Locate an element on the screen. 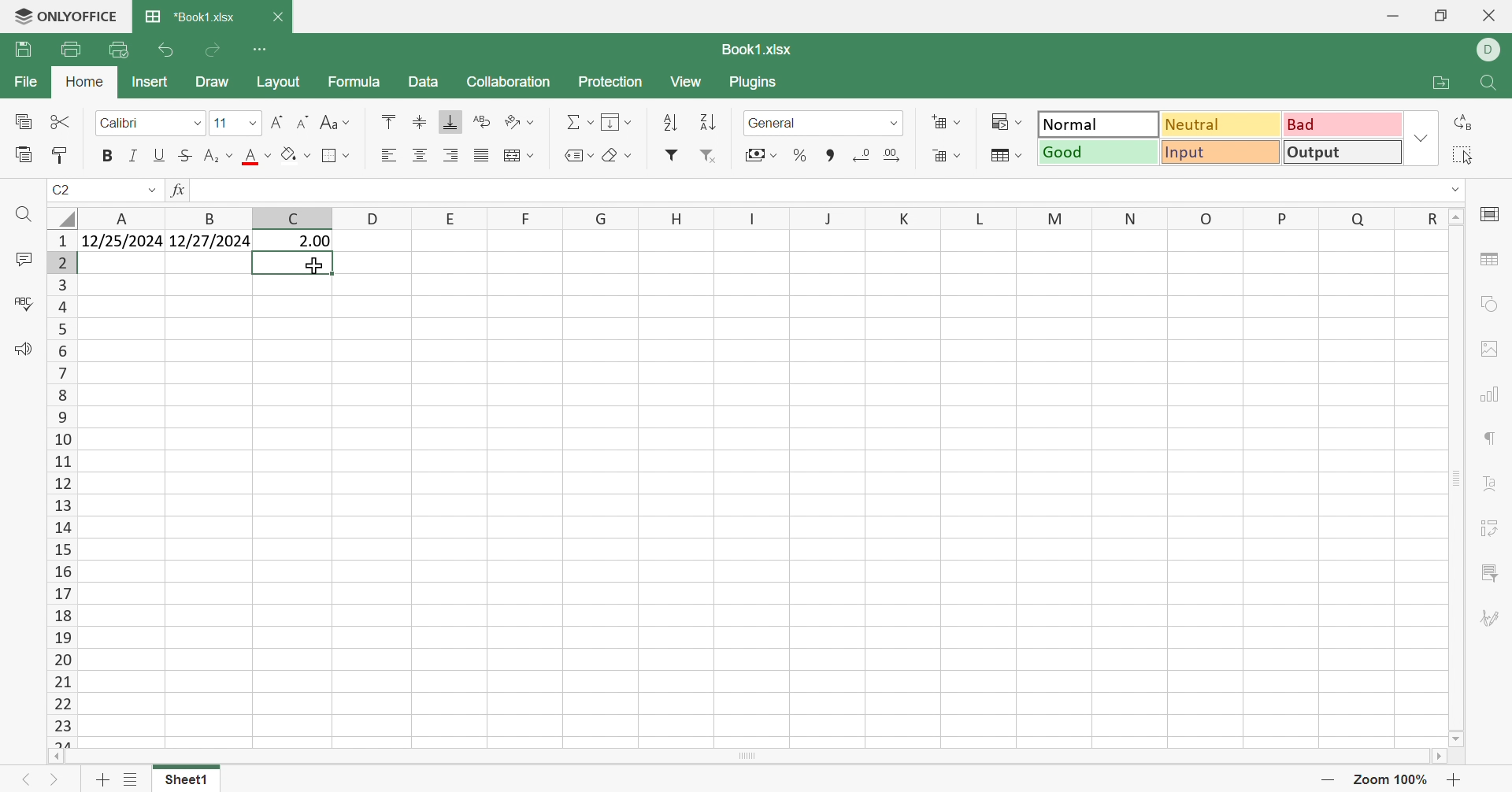 Image resolution: width=1512 pixels, height=792 pixels. Insert is located at coordinates (150, 82).